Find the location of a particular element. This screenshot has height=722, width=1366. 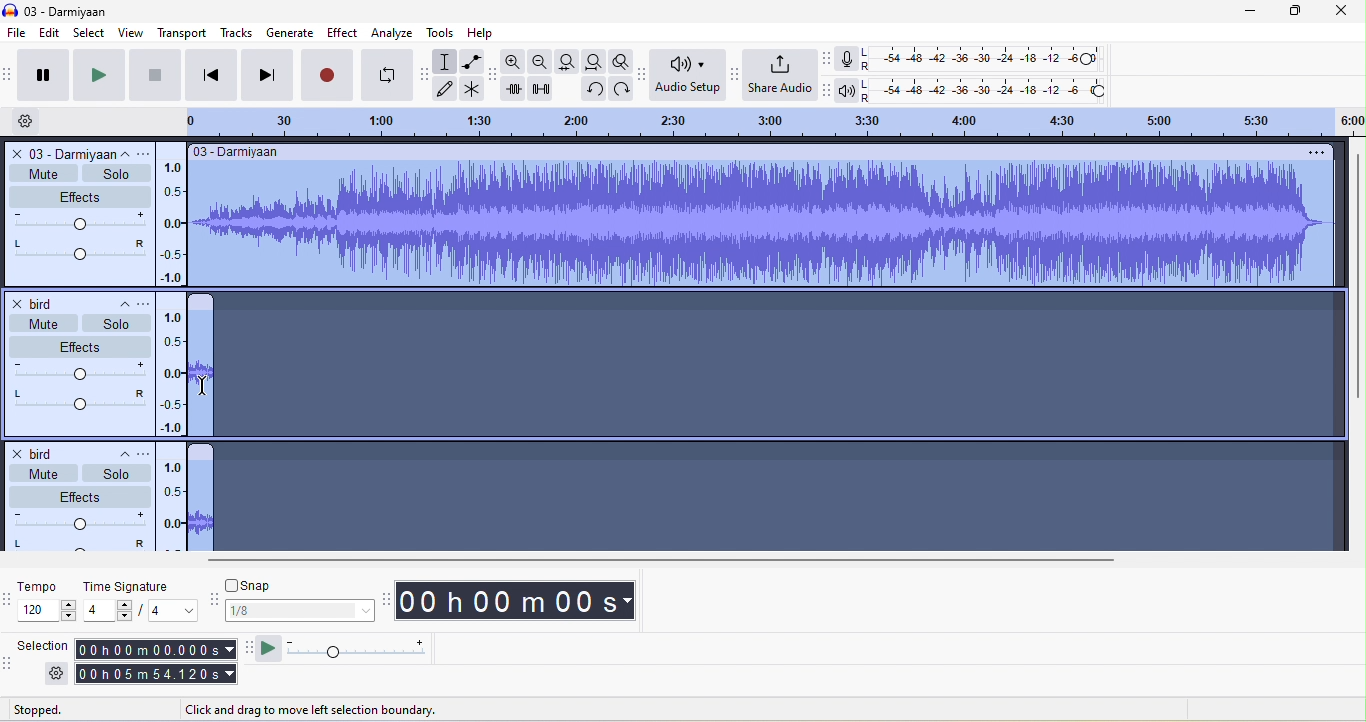

redo is located at coordinates (620, 90).